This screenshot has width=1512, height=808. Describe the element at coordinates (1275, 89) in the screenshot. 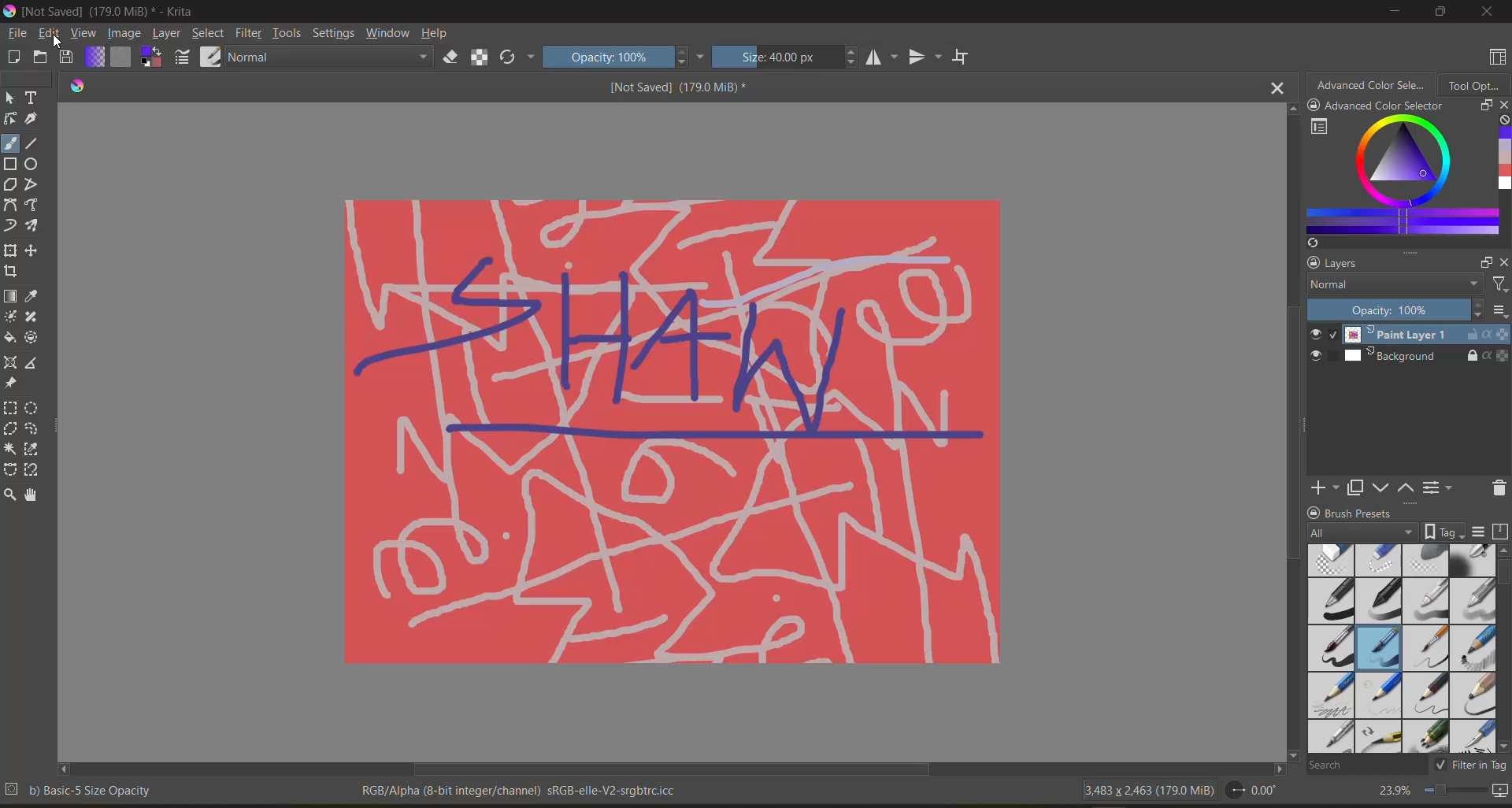

I see `close tab` at that location.